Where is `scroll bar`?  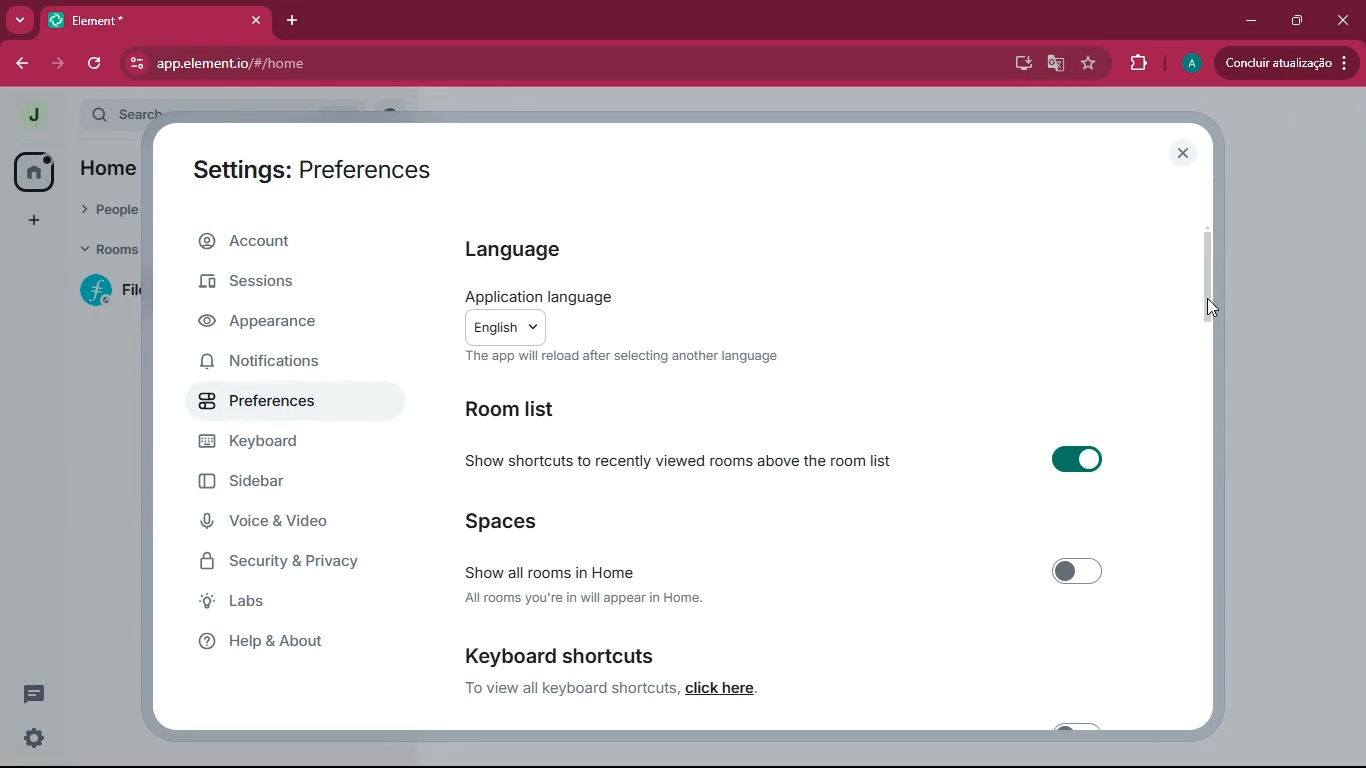
scroll bar is located at coordinates (1208, 276).